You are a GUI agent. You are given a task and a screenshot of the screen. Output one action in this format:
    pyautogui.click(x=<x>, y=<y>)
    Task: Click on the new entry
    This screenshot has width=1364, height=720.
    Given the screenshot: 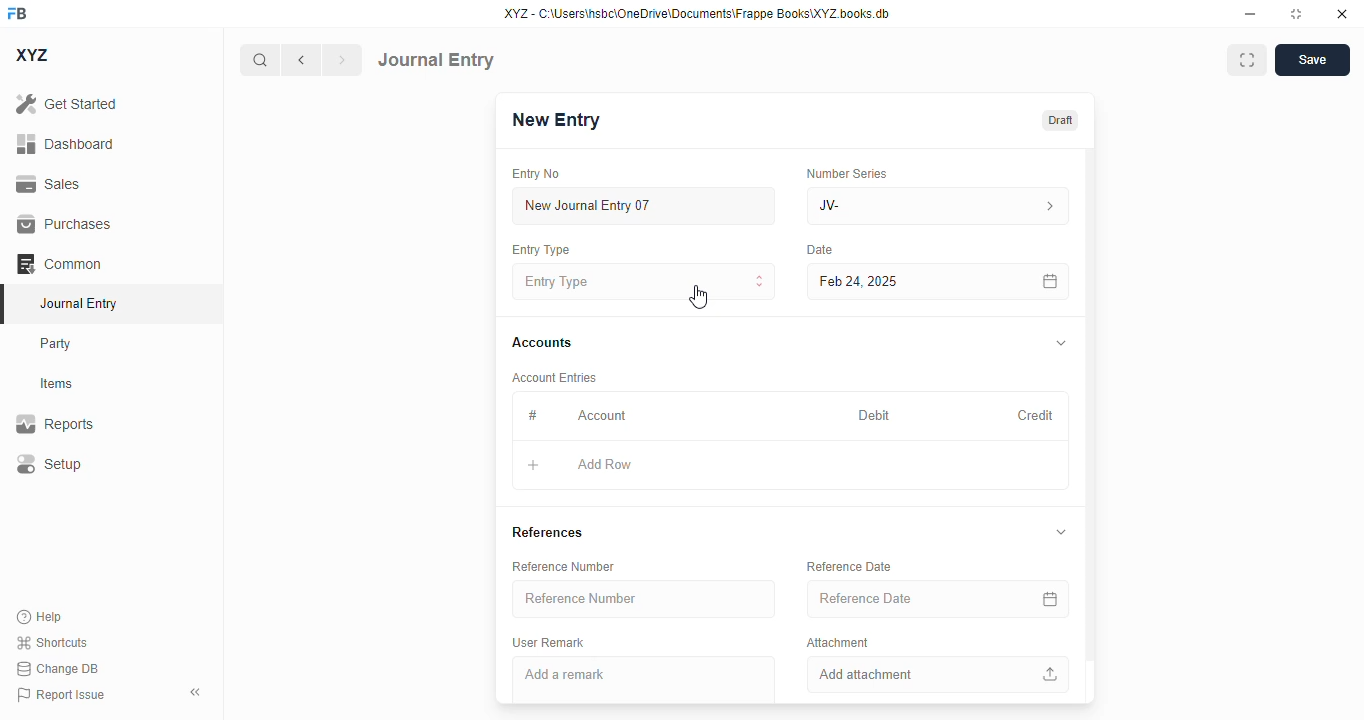 What is the action you would take?
    pyautogui.click(x=557, y=119)
    